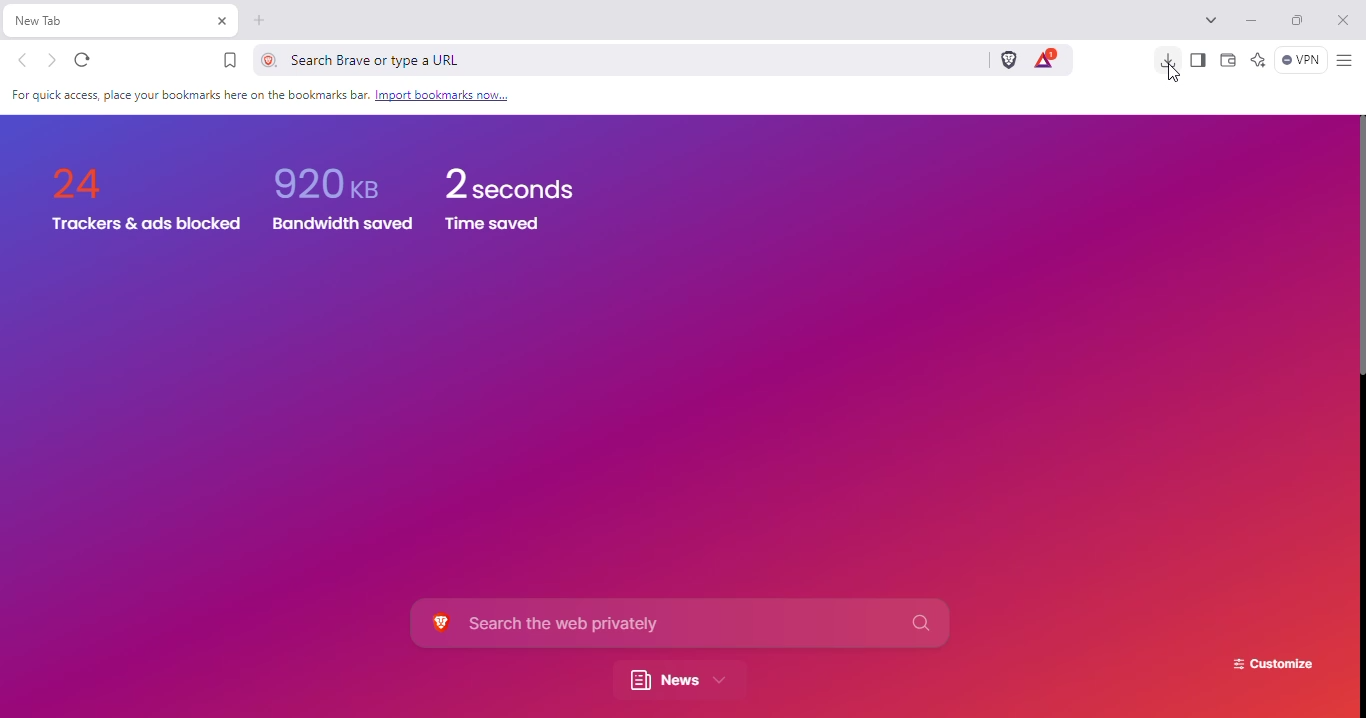 The height and width of the screenshot is (718, 1366). I want to click on Time saved, so click(495, 226).